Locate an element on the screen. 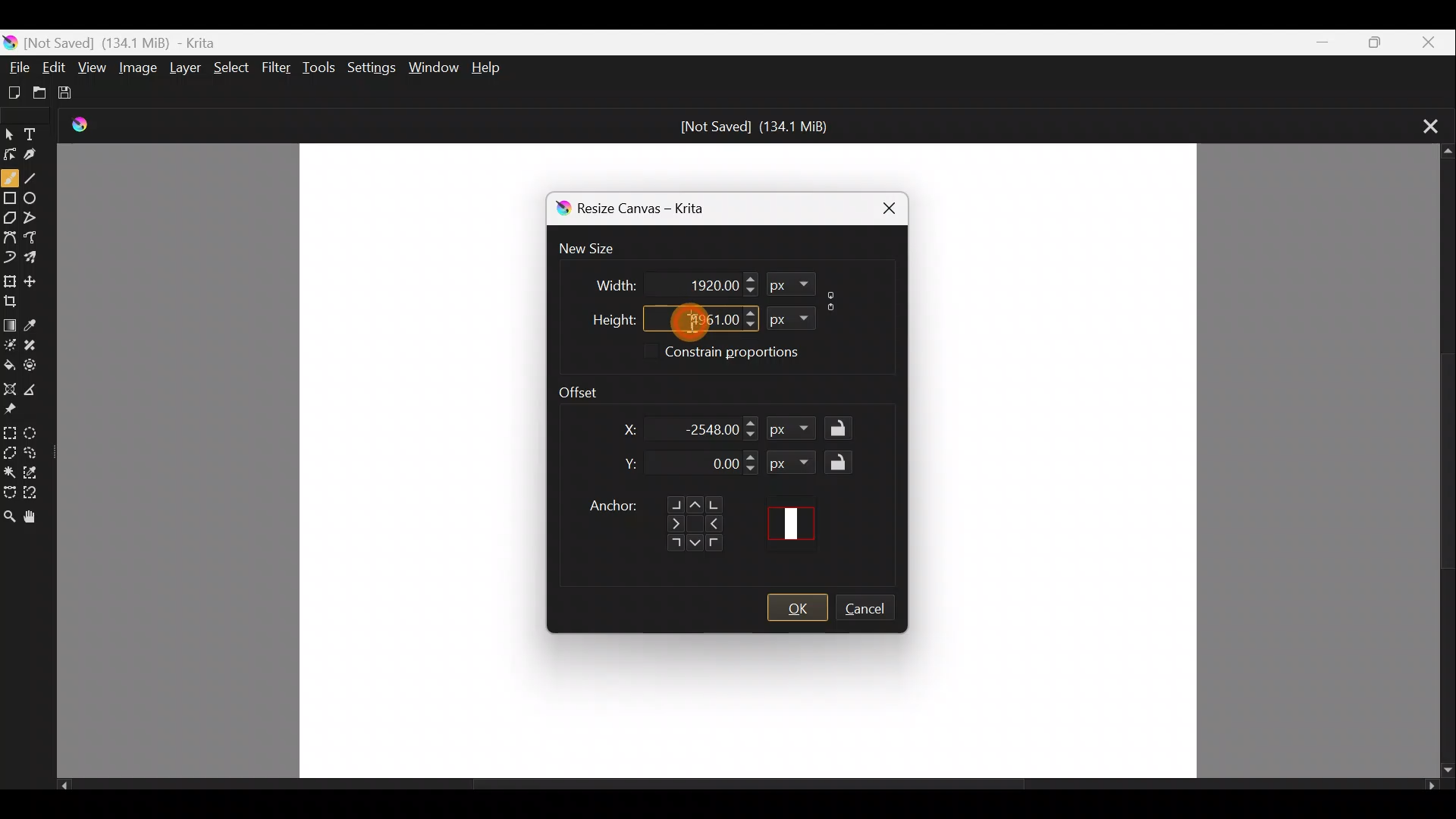  Increase X dimension is located at coordinates (752, 420).